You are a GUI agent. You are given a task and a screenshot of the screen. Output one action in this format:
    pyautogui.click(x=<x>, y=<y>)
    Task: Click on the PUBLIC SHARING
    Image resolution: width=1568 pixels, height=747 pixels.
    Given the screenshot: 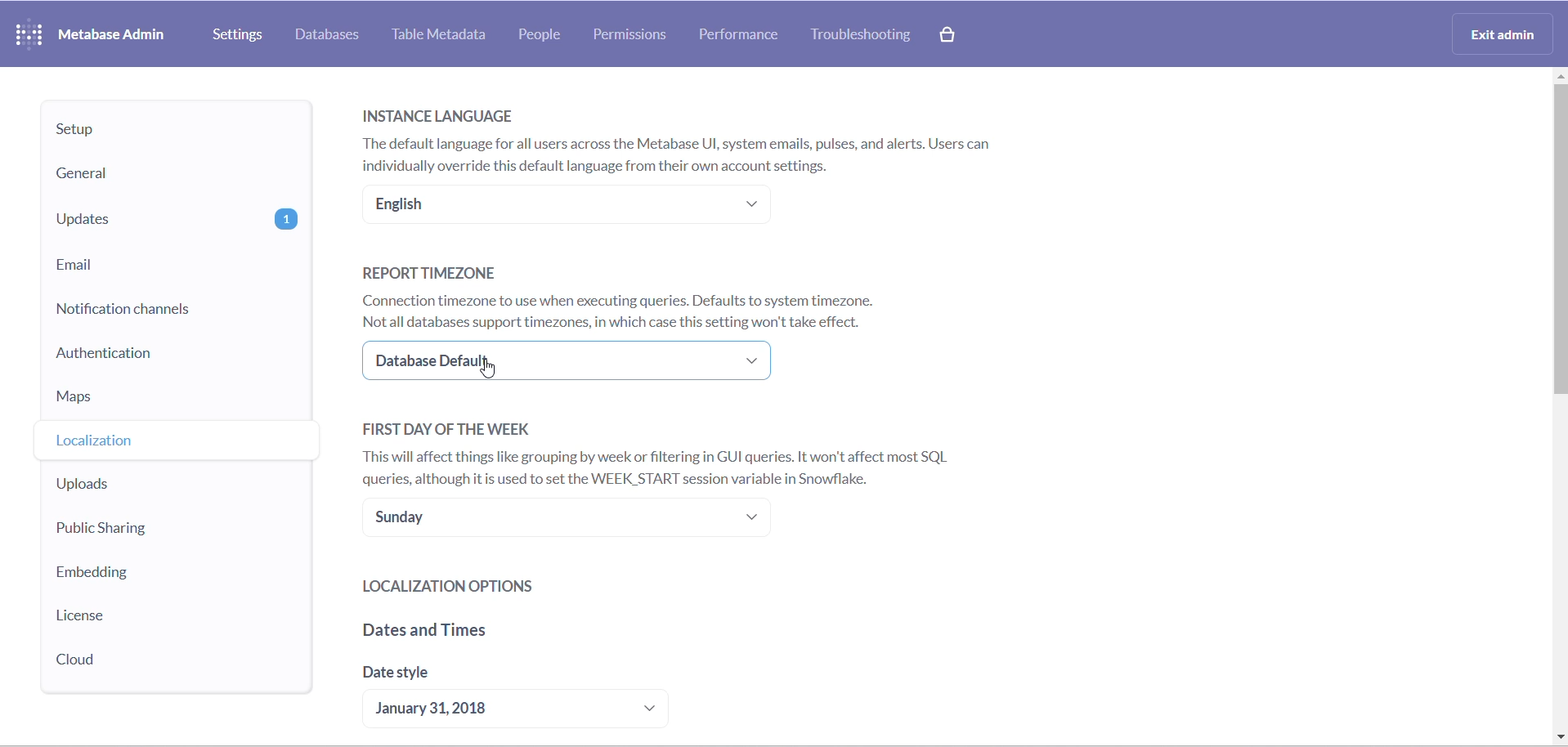 What is the action you would take?
    pyautogui.click(x=154, y=530)
    